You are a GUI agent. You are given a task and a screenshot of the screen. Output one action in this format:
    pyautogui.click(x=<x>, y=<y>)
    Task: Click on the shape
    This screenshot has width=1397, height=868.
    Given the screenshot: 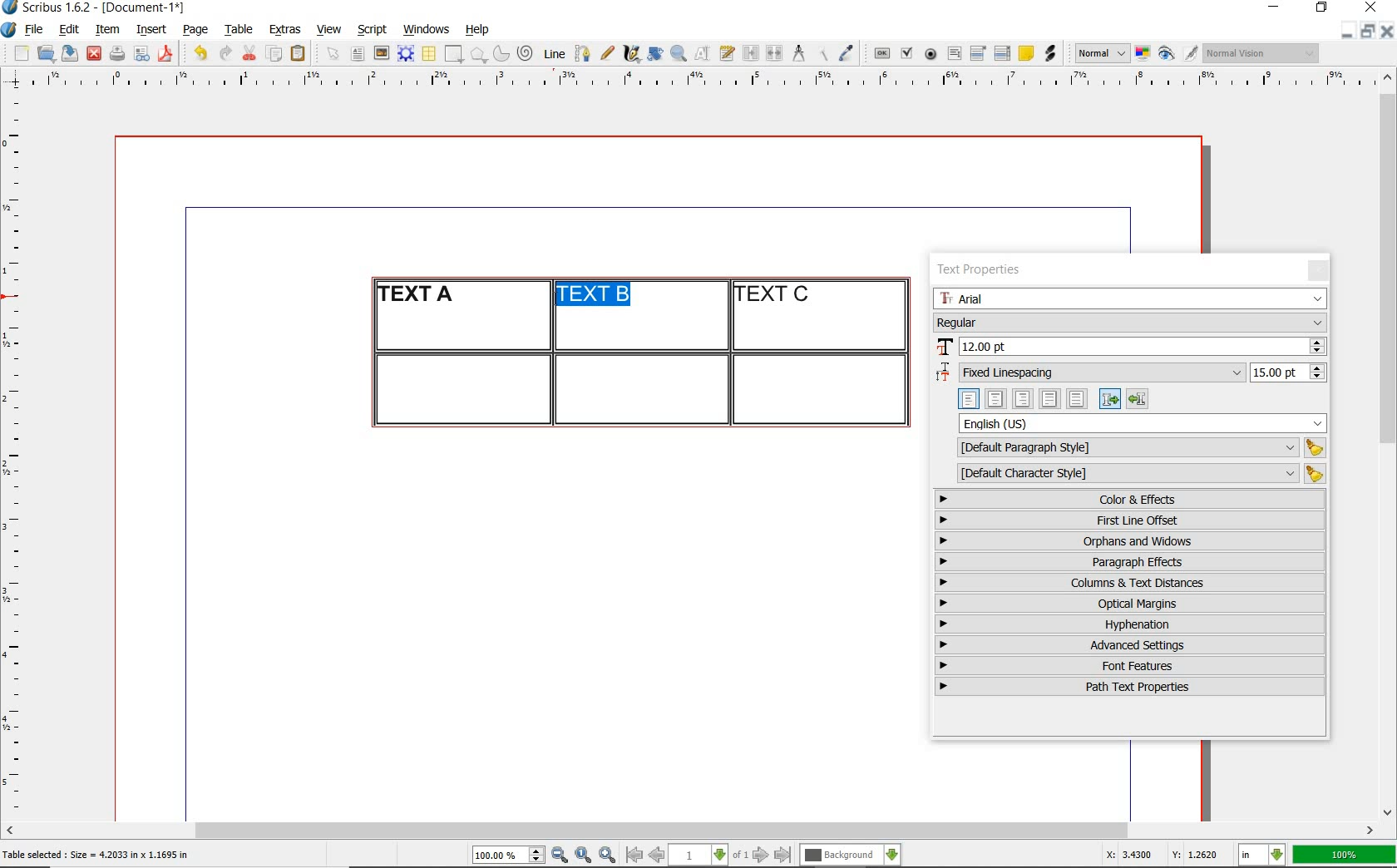 What is the action you would take?
    pyautogui.click(x=456, y=55)
    